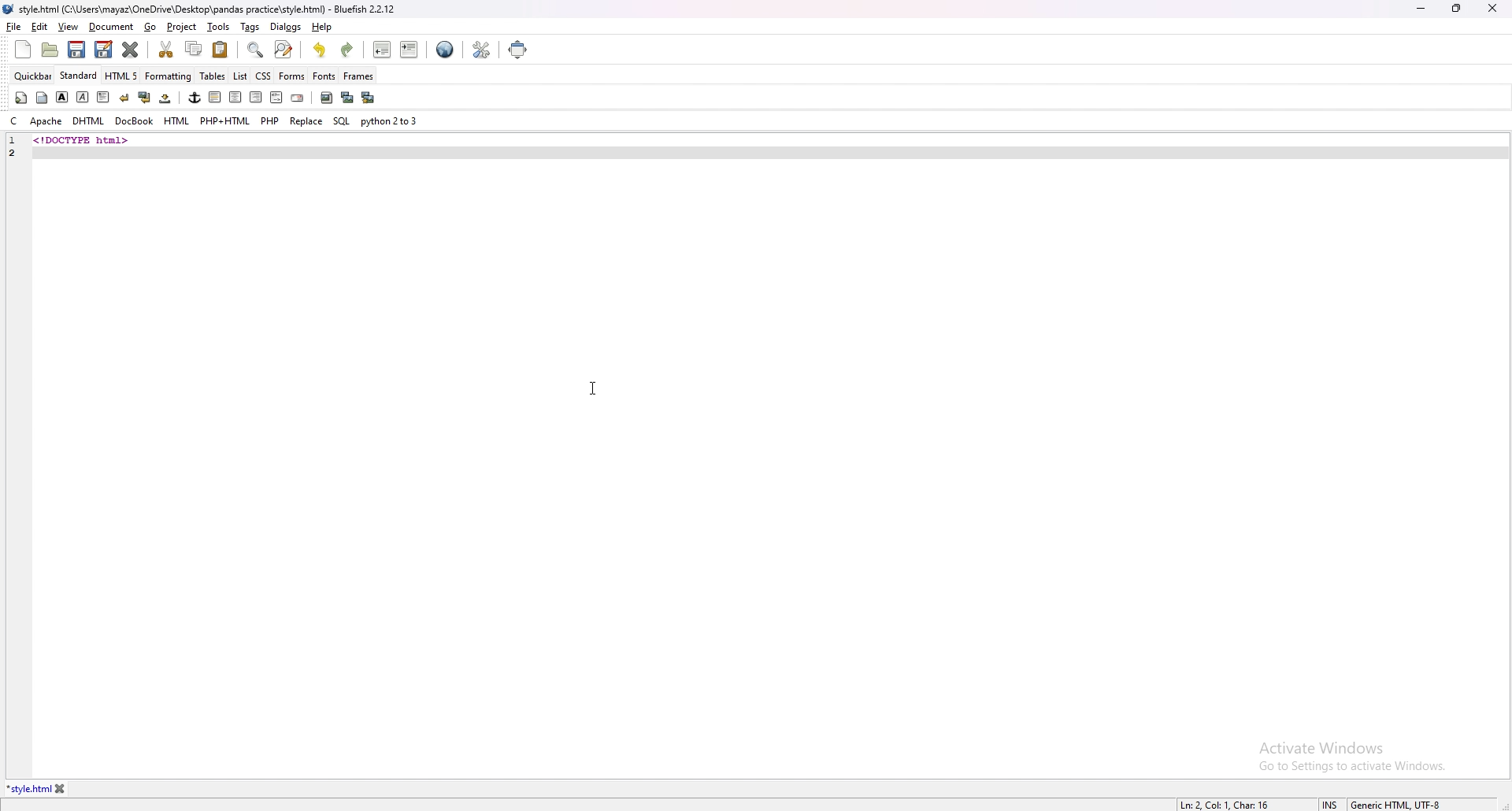 This screenshot has height=811, width=1512. What do you see at coordinates (358, 76) in the screenshot?
I see `frames` at bounding box center [358, 76].